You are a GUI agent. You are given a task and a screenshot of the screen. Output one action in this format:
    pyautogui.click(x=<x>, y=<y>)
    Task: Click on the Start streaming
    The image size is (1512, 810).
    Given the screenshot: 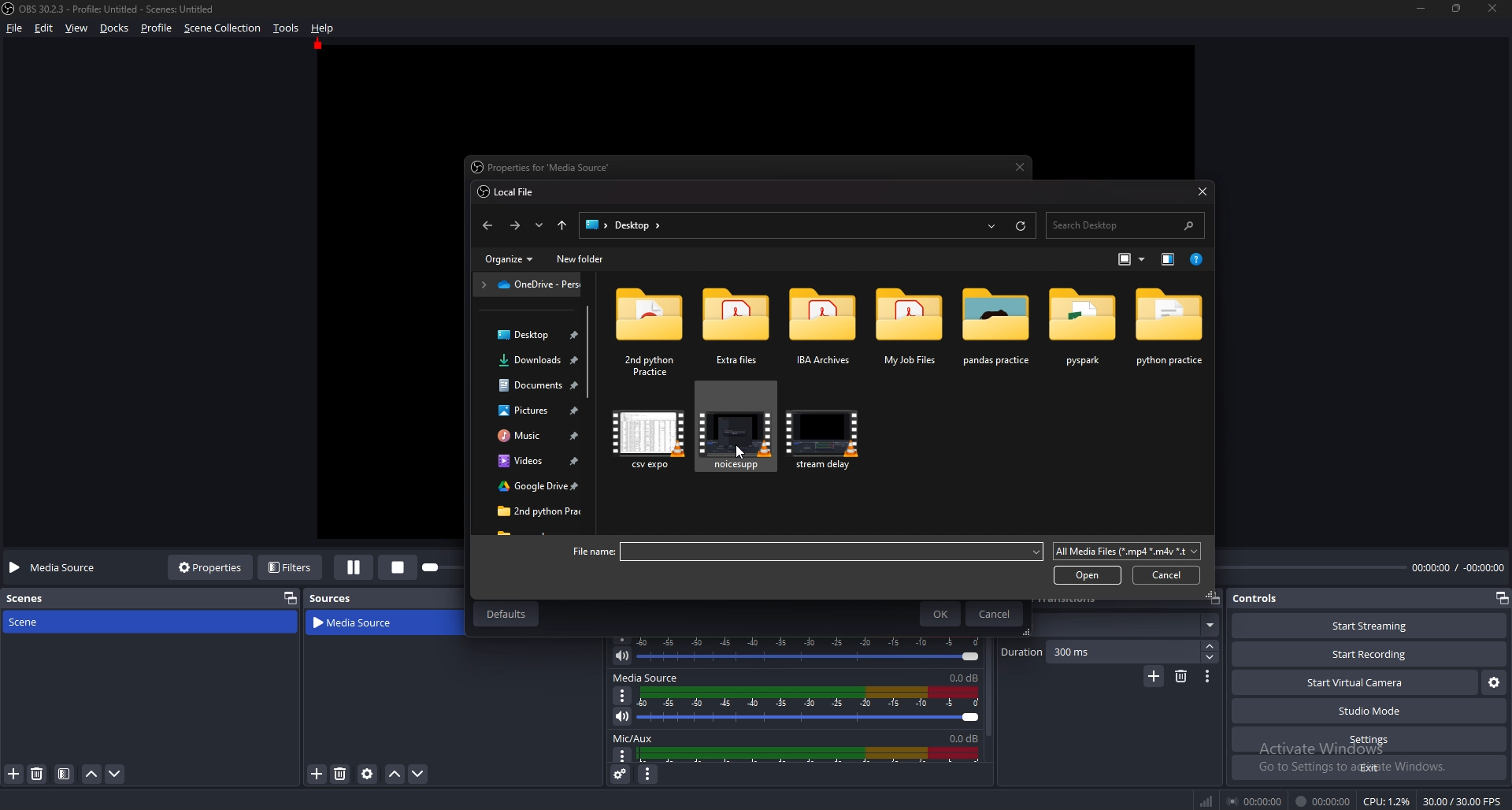 What is the action you would take?
    pyautogui.click(x=1372, y=626)
    